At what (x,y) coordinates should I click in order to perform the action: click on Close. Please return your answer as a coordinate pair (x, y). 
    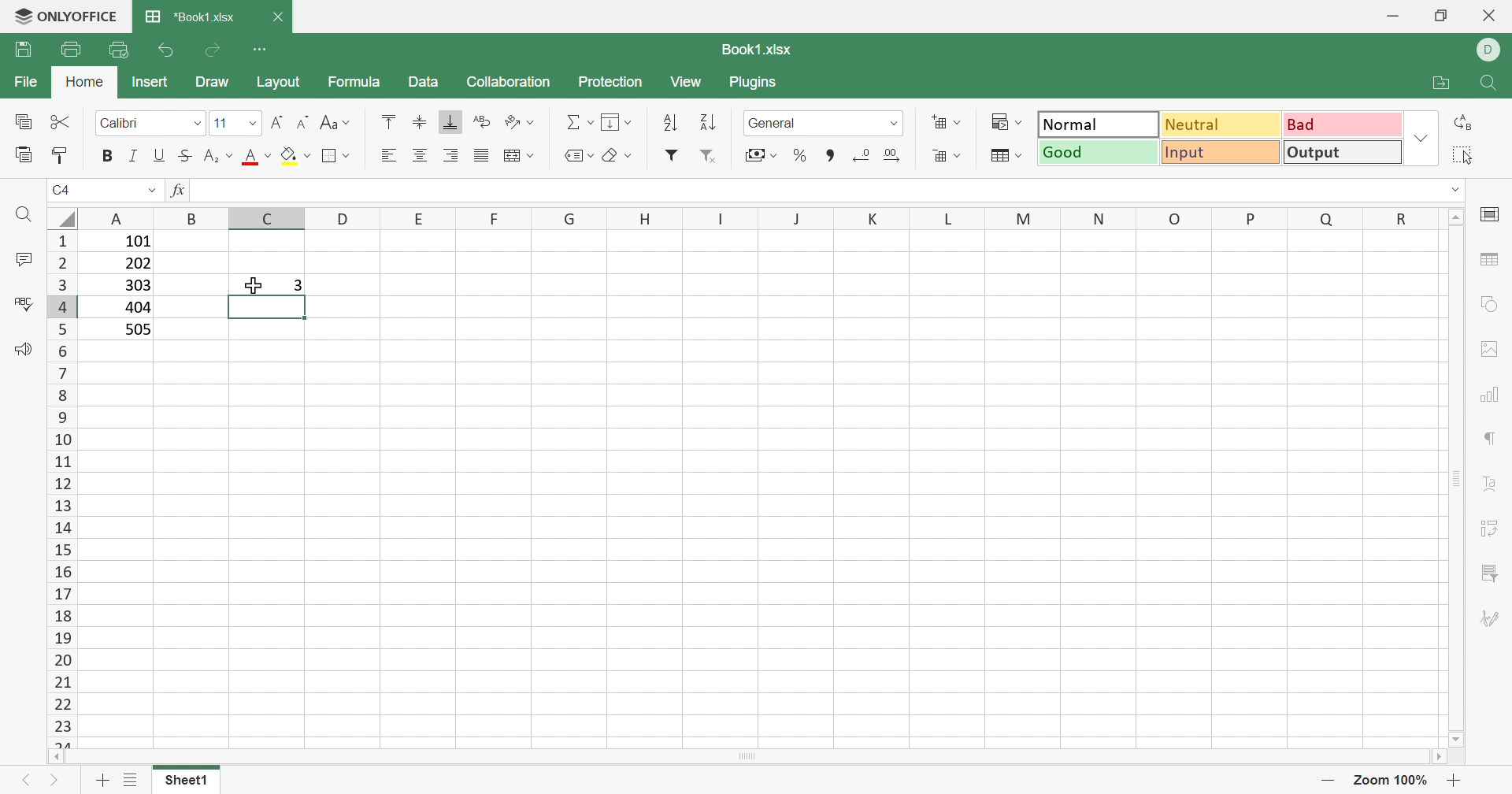
    Looking at the image, I should click on (282, 15).